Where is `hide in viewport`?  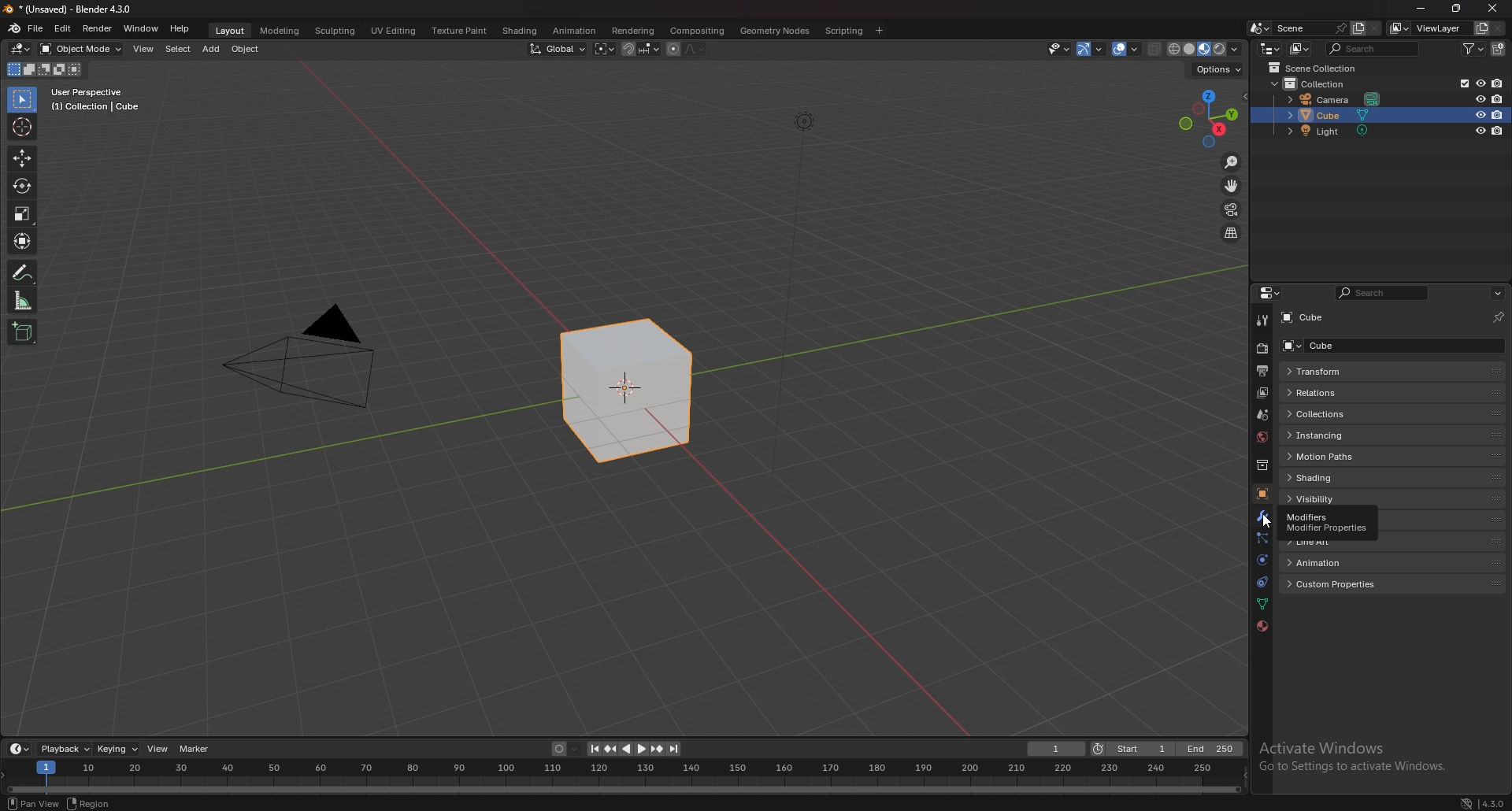 hide in viewport is located at coordinates (1480, 83).